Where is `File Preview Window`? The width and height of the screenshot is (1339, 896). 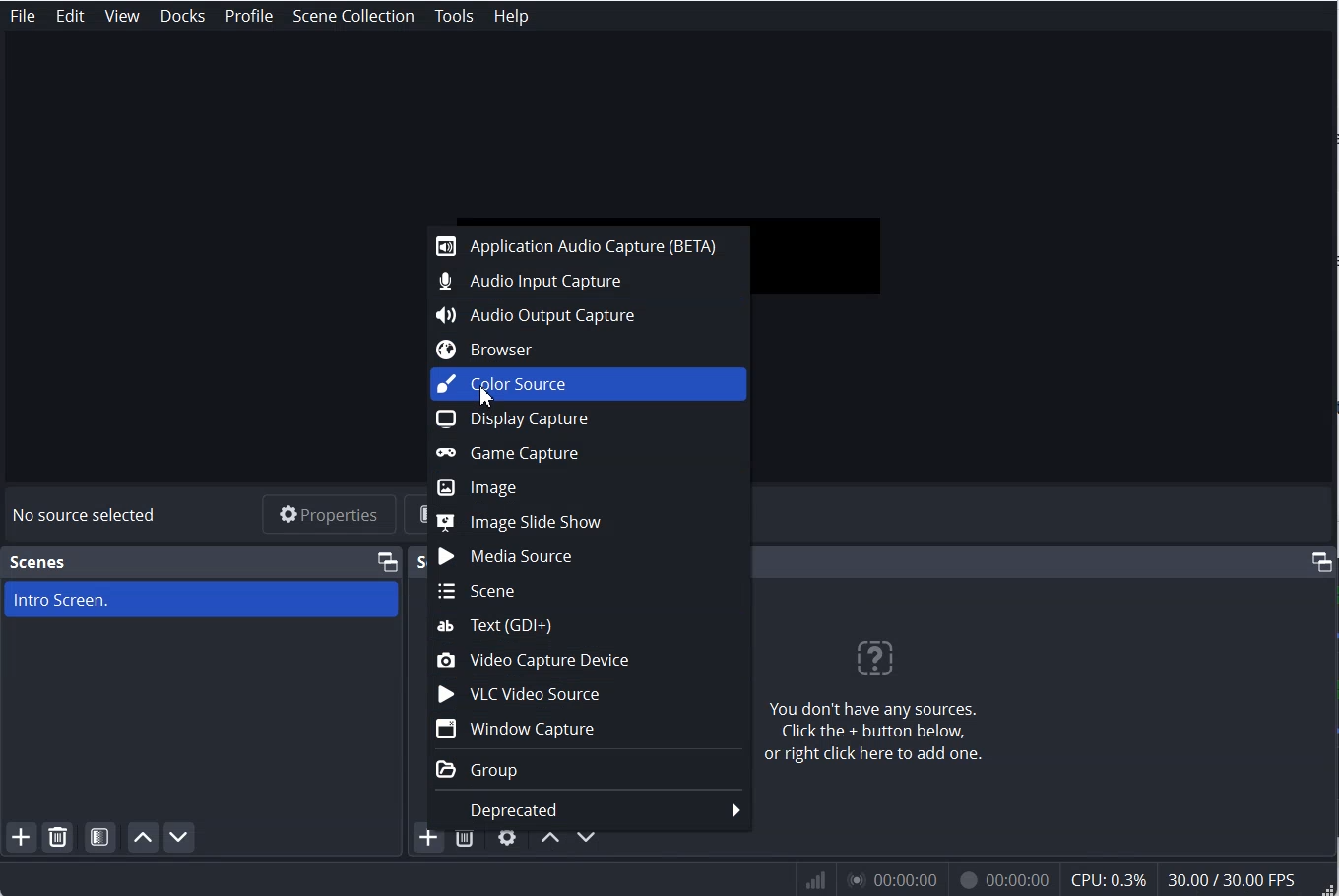 File Preview Window is located at coordinates (831, 251).